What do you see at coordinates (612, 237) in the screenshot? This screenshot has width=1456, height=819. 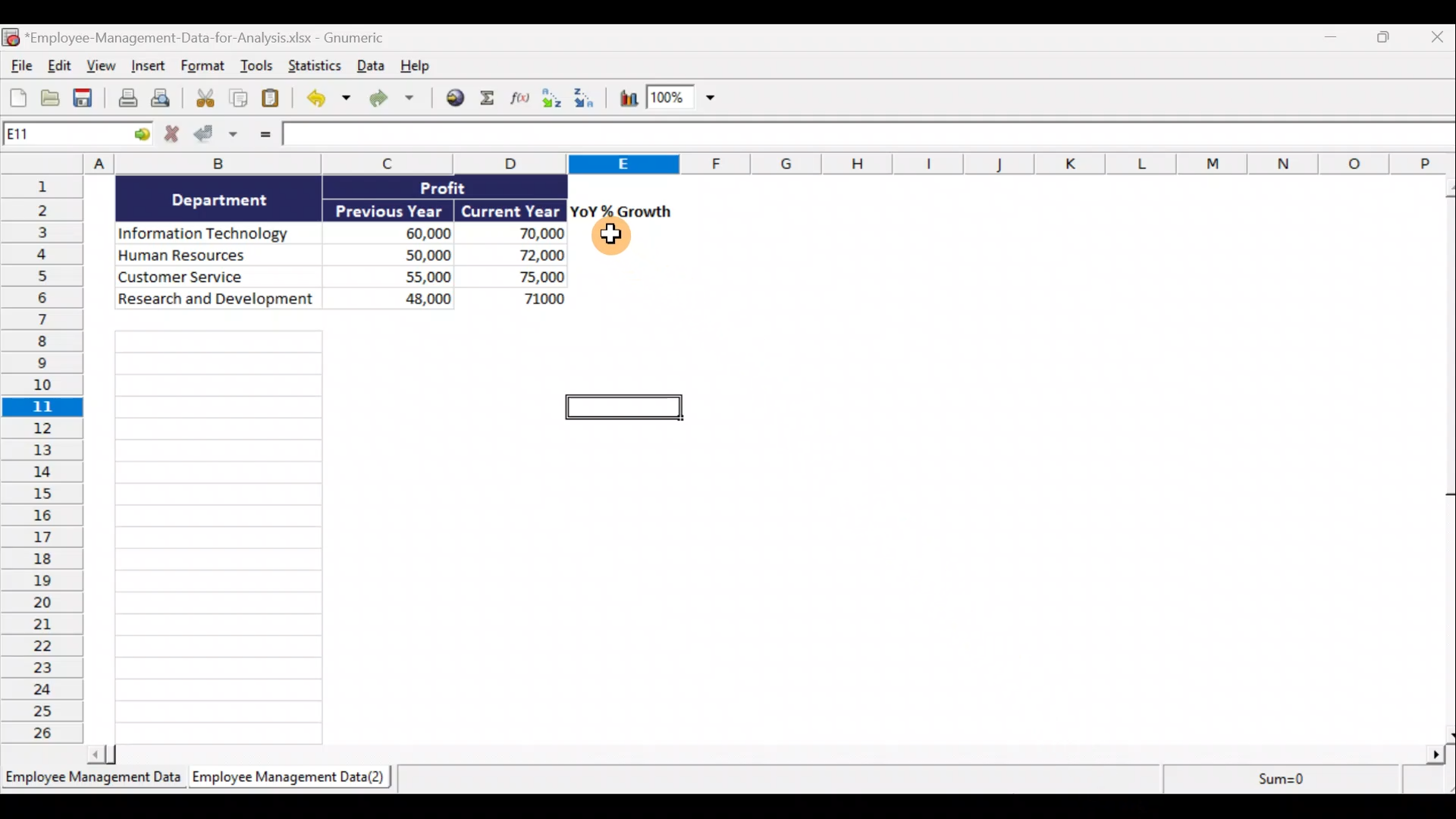 I see `Cursor` at bounding box center [612, 237].